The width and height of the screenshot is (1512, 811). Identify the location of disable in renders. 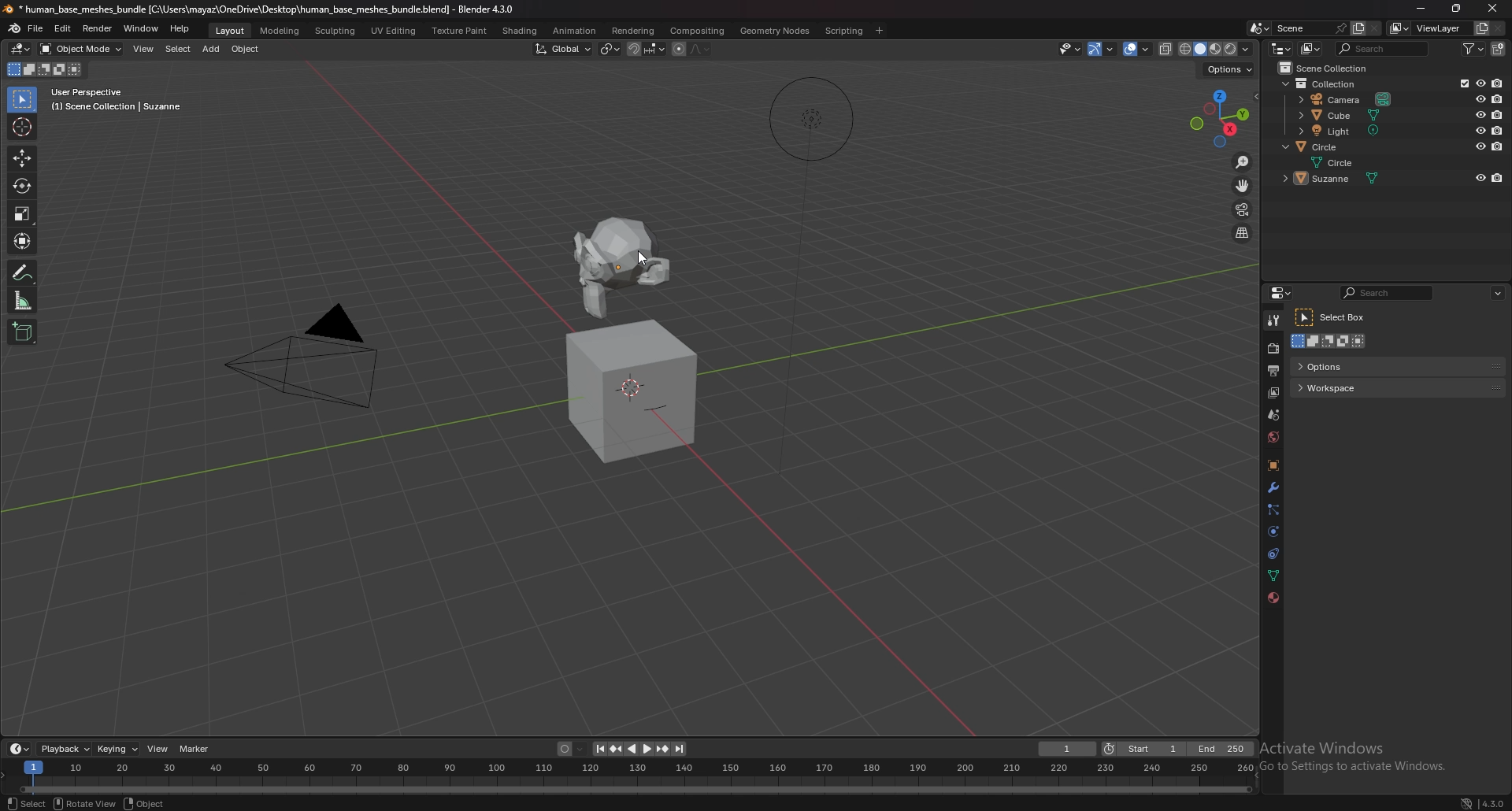
(1496, 146).